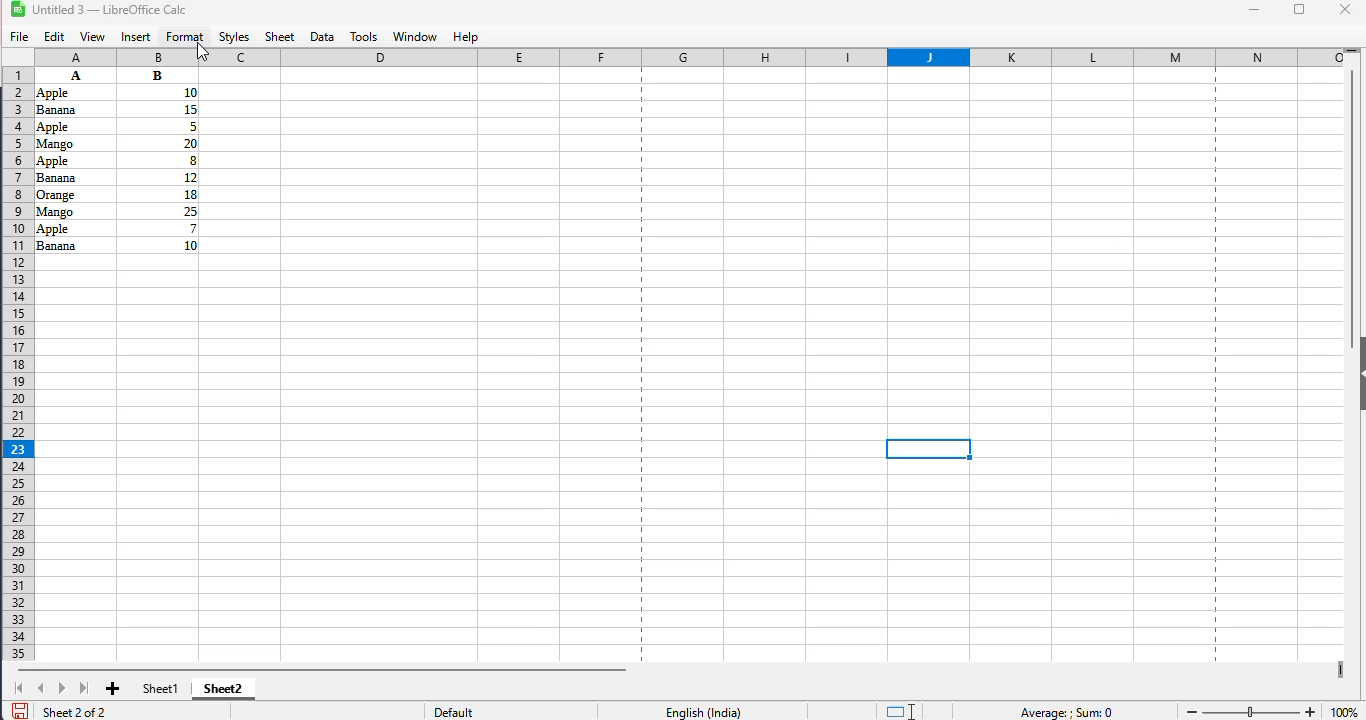  Describe the element at coordinates (159, 245) in the screenshot. I see `` at that location.